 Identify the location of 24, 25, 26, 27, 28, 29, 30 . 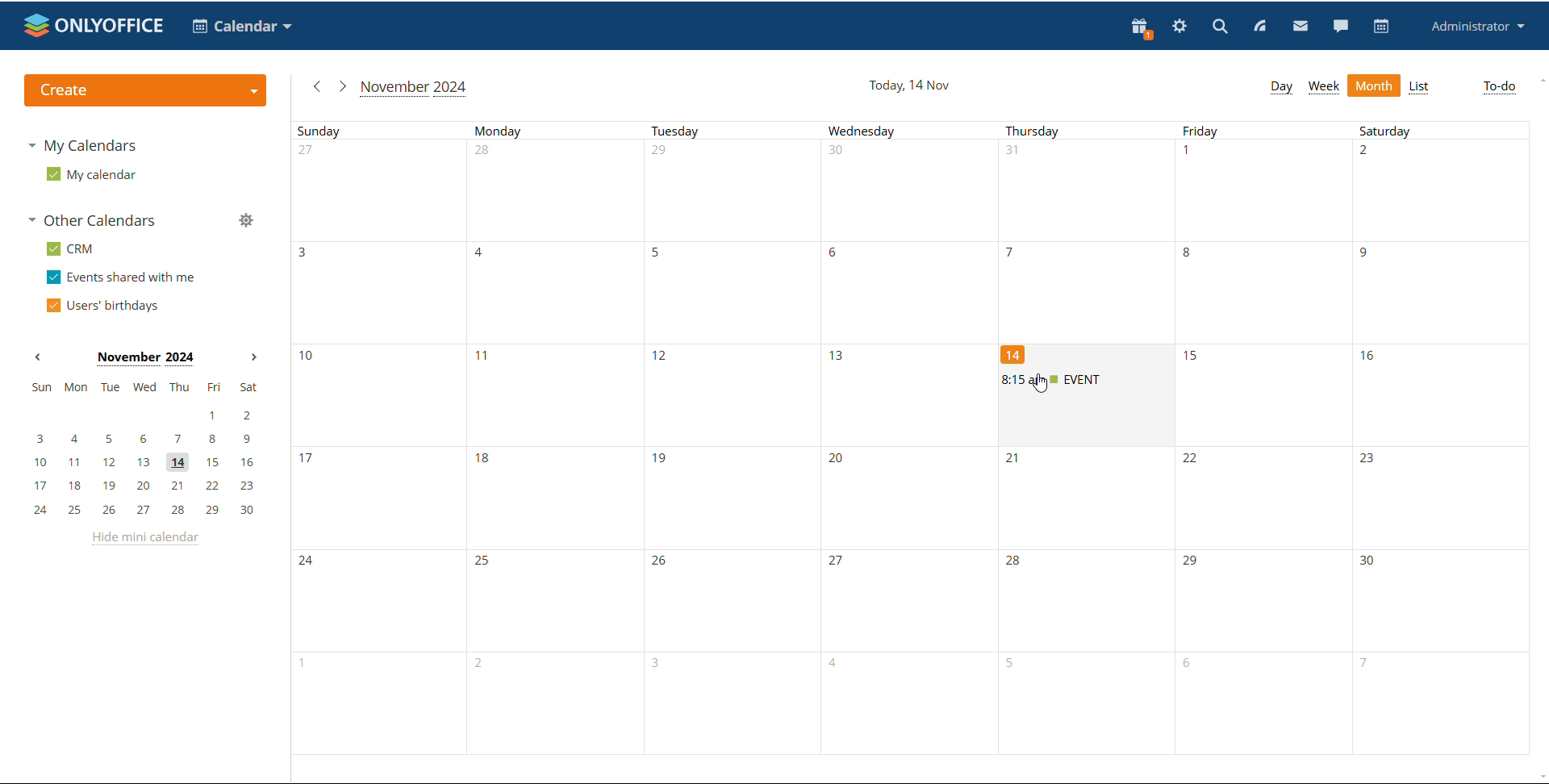
(144, 511).